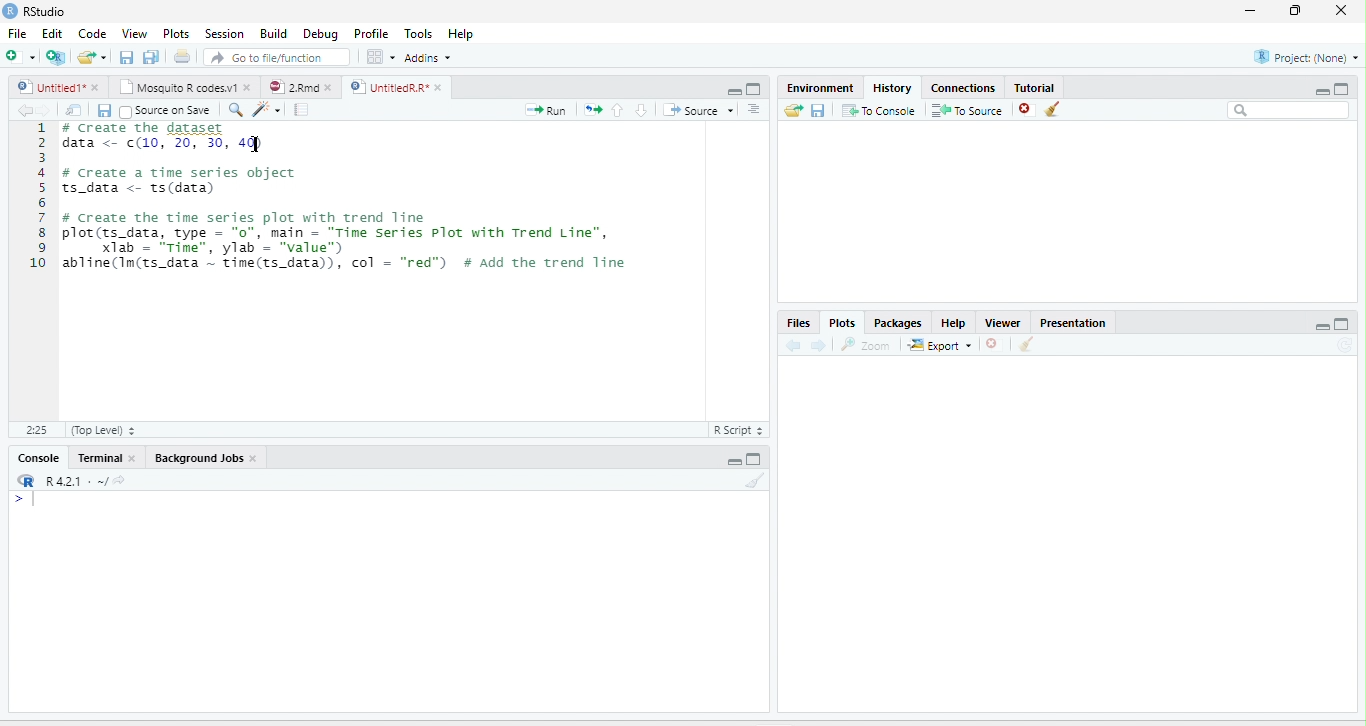 The width and height of the screenshot is (1366, 726). I want to click on close, so click(329, 87).